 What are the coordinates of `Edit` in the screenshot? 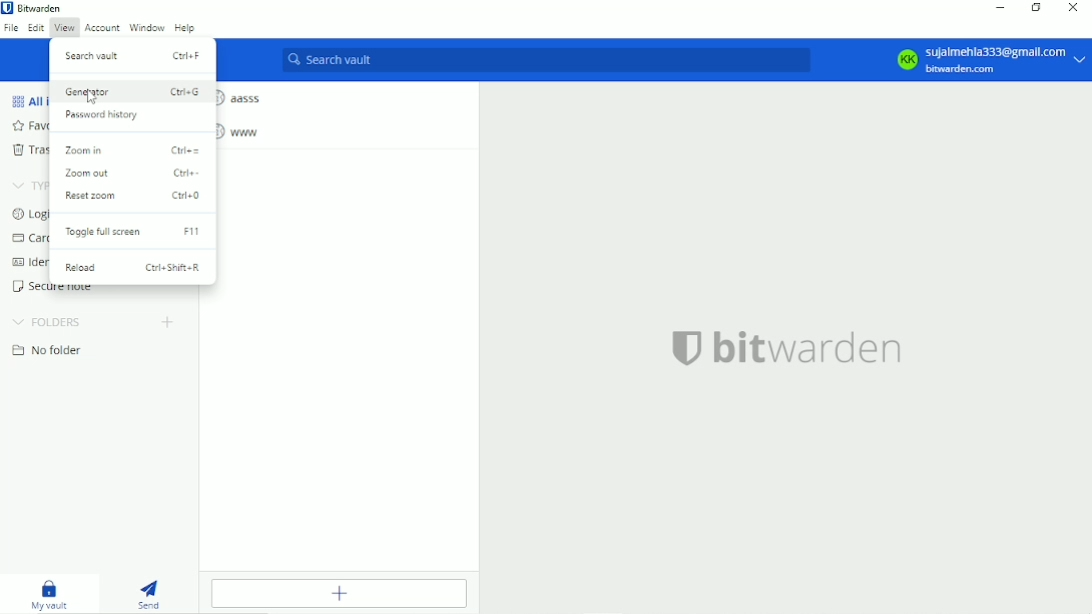 It's located at (35, 30).